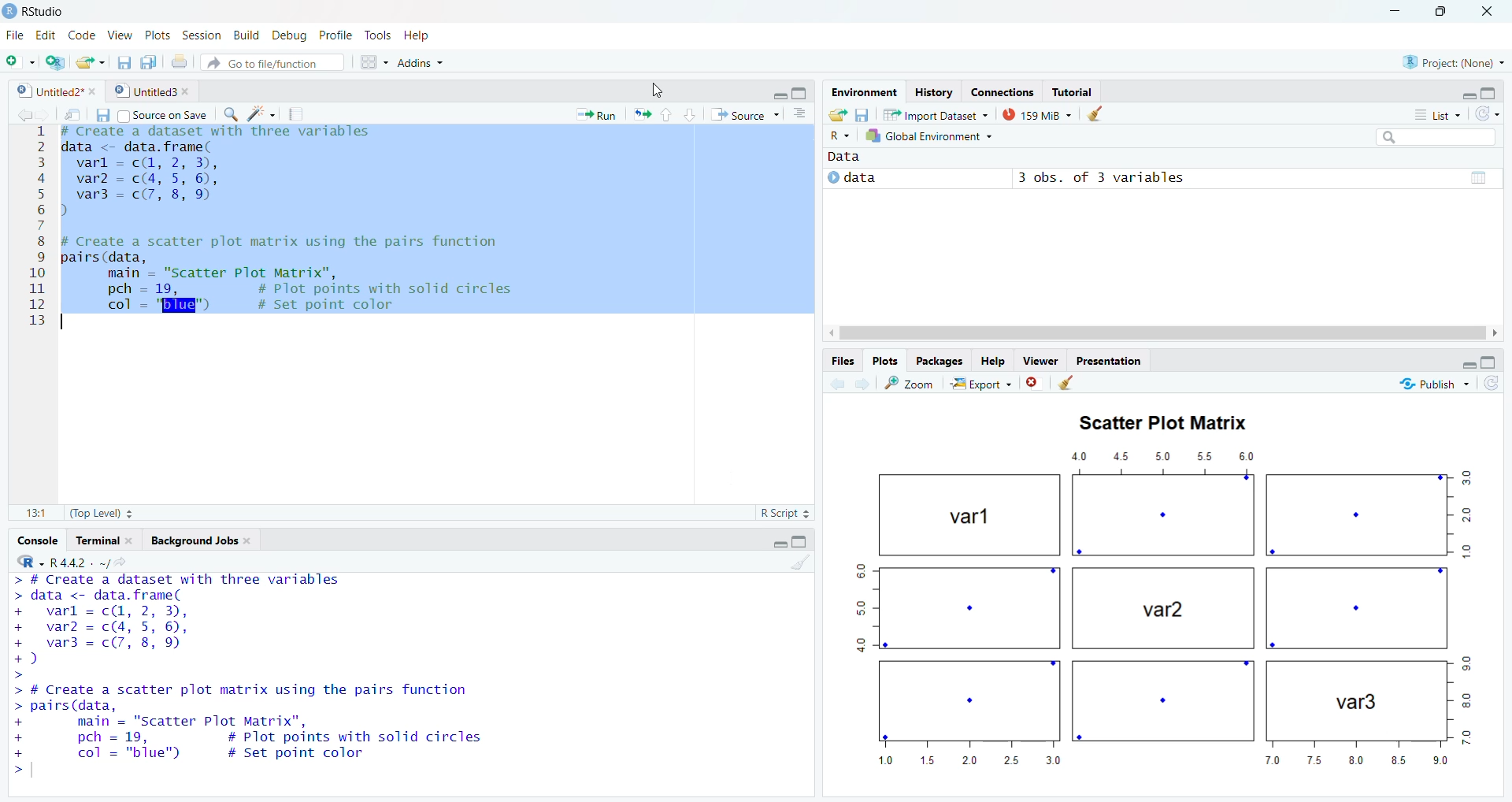  Describe the element at coordinates (840, 135) in the screenshot. I see `Choose language` at that location.